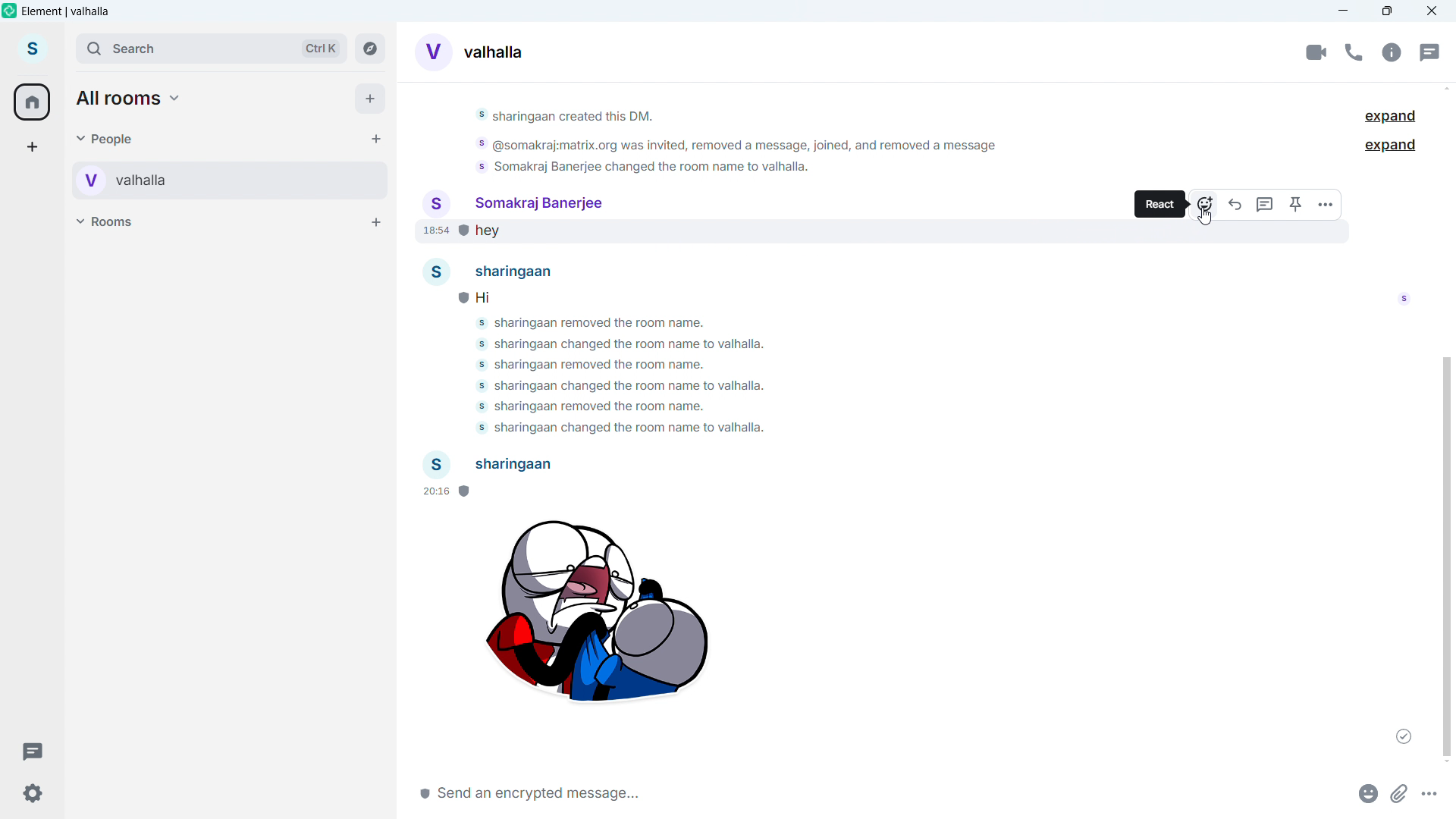  I want to click on Threads , so click(1428, 52).